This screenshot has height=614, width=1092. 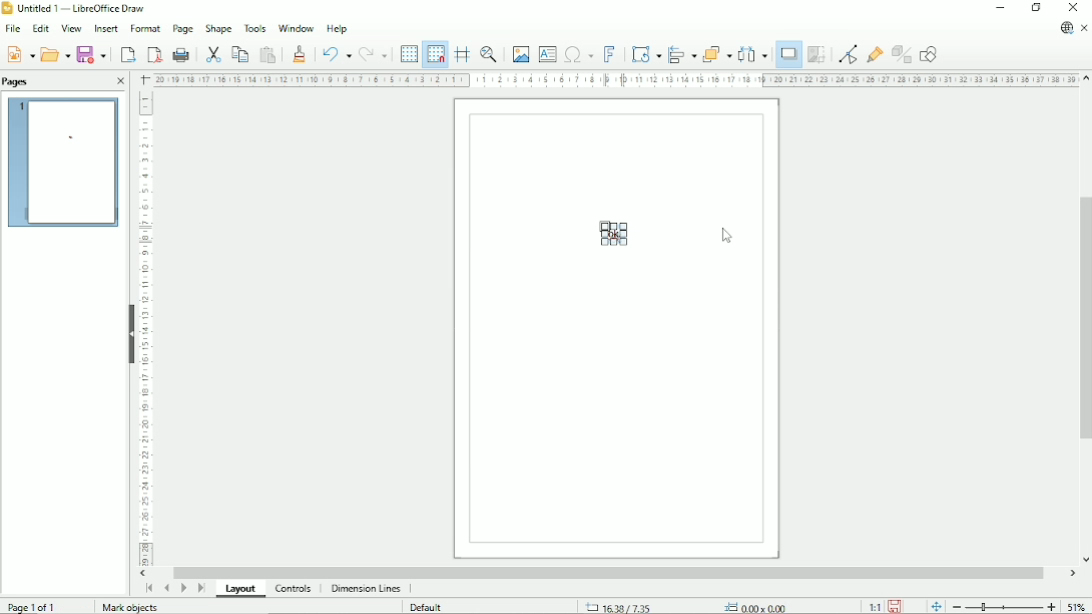 What do you see at coordinates (293, 589) in the screenshot?
I see `Controls` at bounding box center [293, 589].